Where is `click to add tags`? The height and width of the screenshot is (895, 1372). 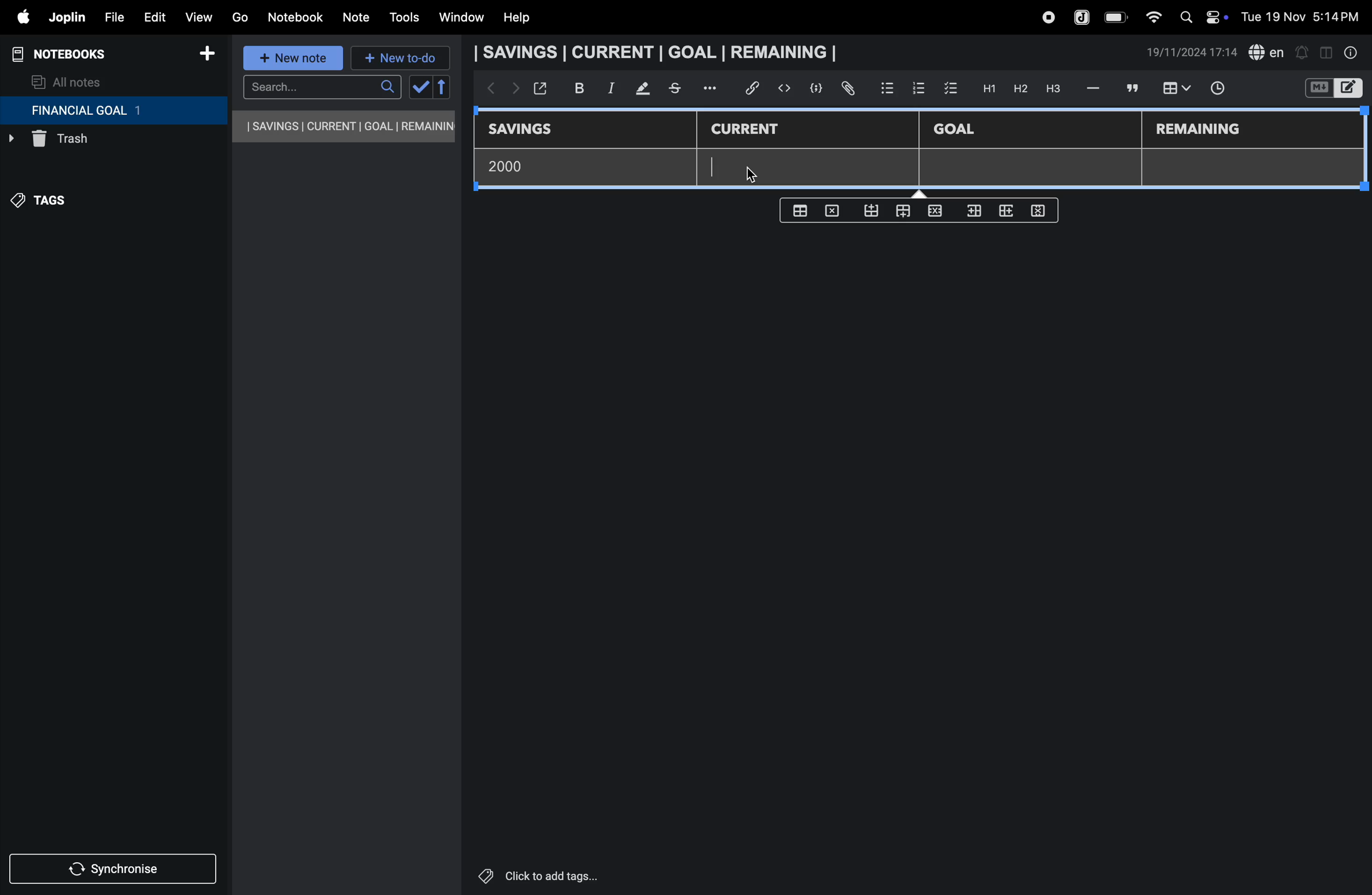
click to add tags is located at coordinates (567, 875).